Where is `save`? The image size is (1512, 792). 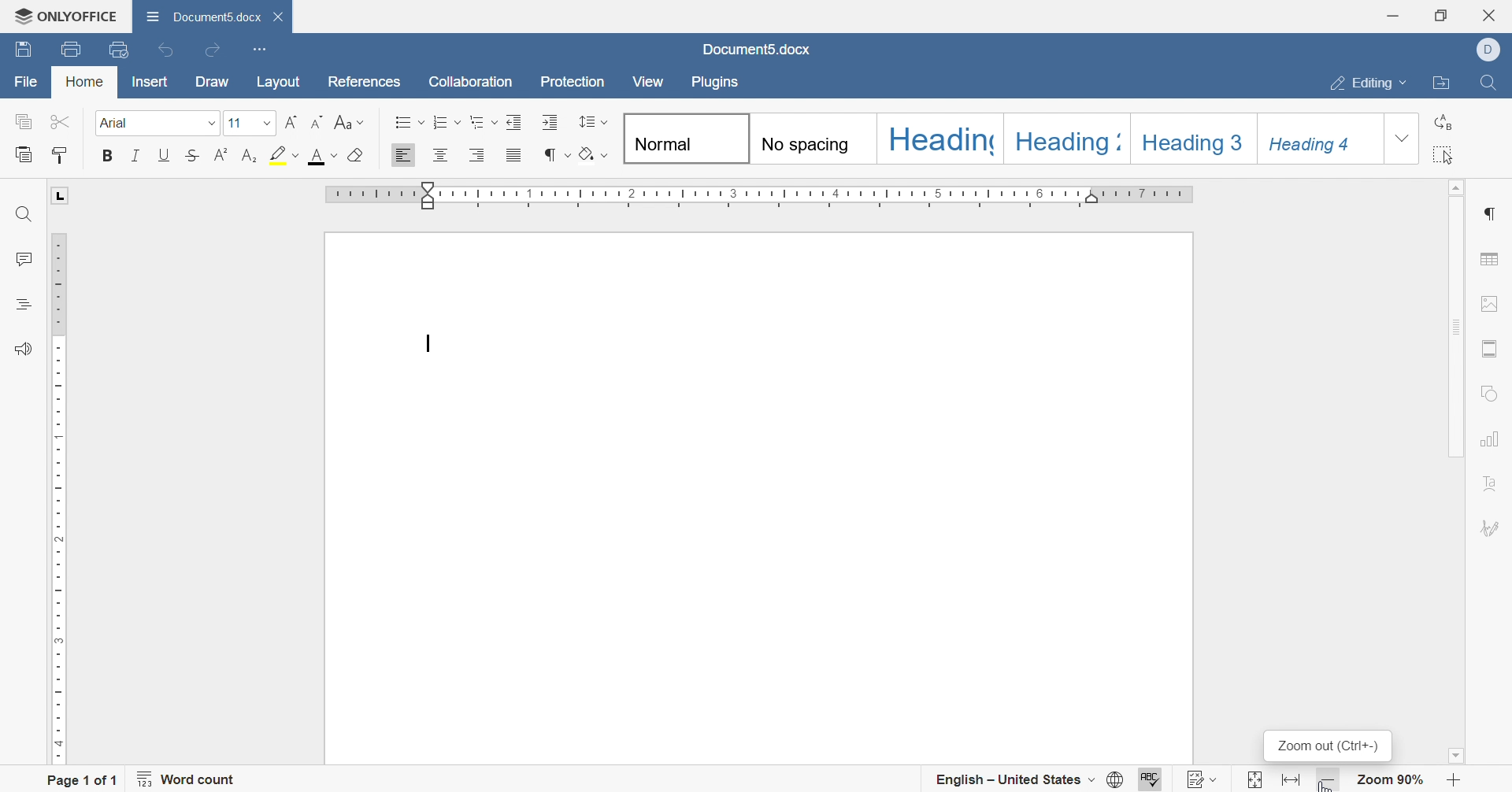 save is located at coordinates (25, 50).